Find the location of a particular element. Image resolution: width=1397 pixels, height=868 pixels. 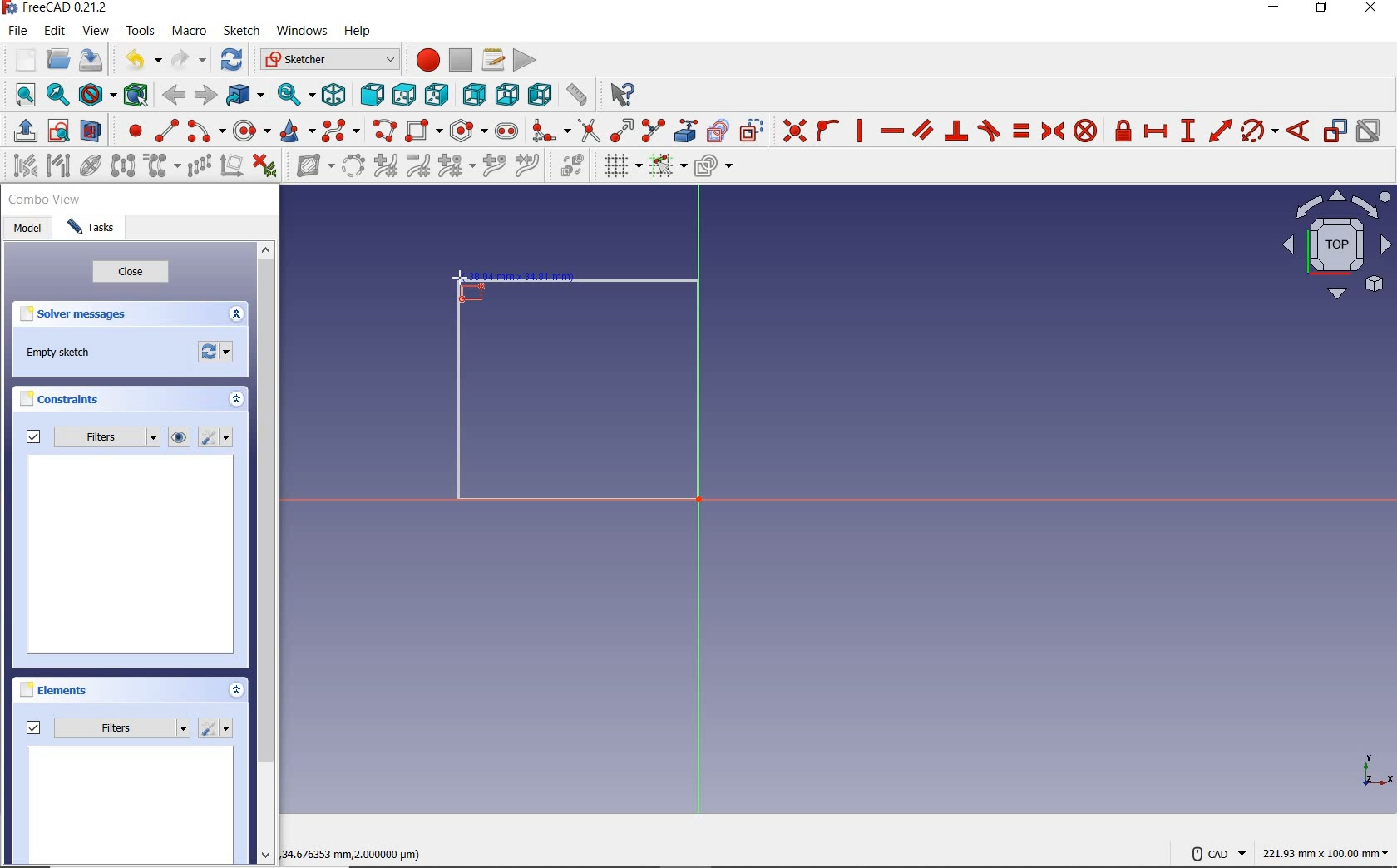

sync view is located at coordinates (294, 93).